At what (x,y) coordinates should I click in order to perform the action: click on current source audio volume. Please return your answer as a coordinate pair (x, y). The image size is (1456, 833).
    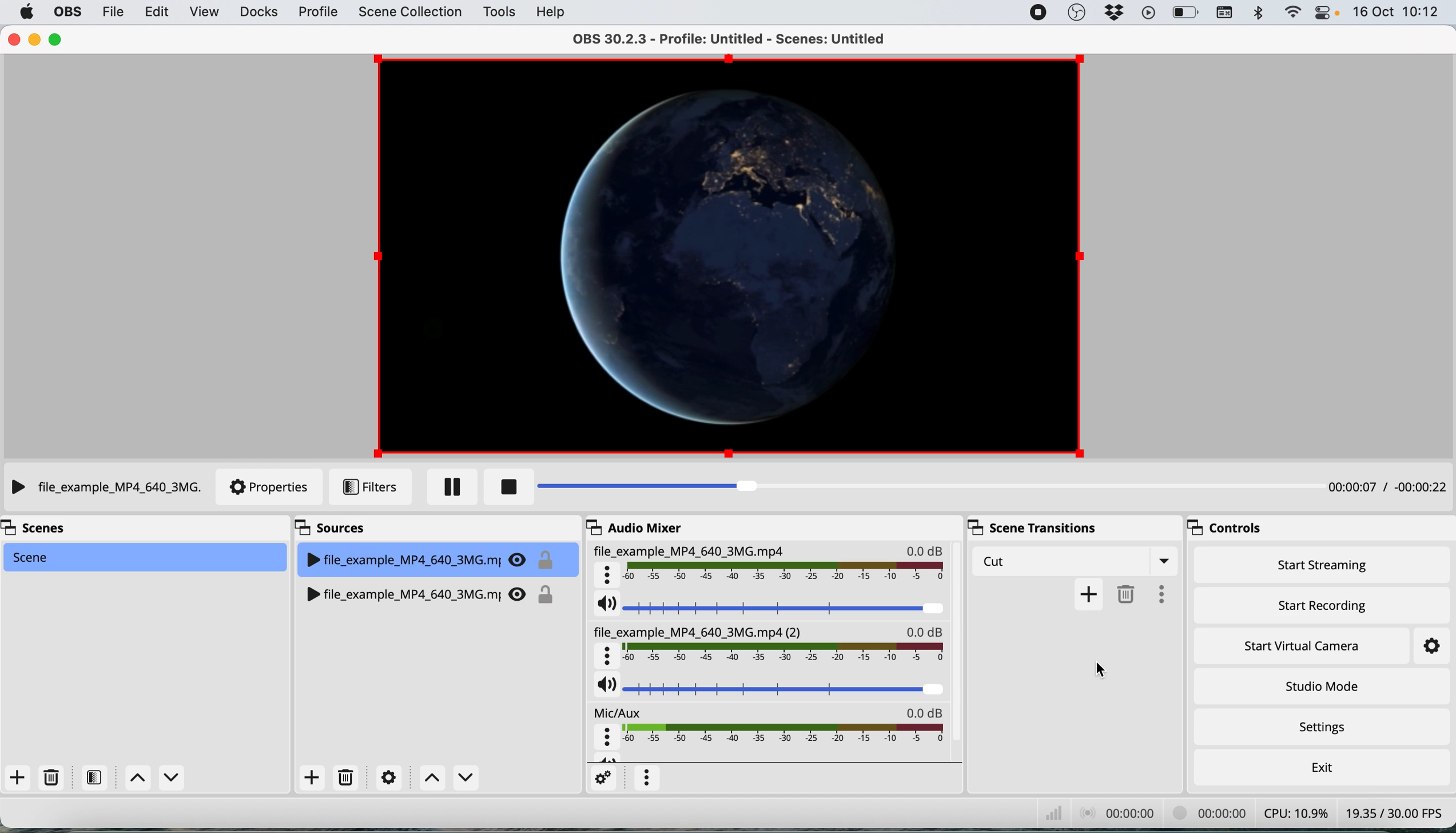
    Looking at the image, I should click on (770, 605).